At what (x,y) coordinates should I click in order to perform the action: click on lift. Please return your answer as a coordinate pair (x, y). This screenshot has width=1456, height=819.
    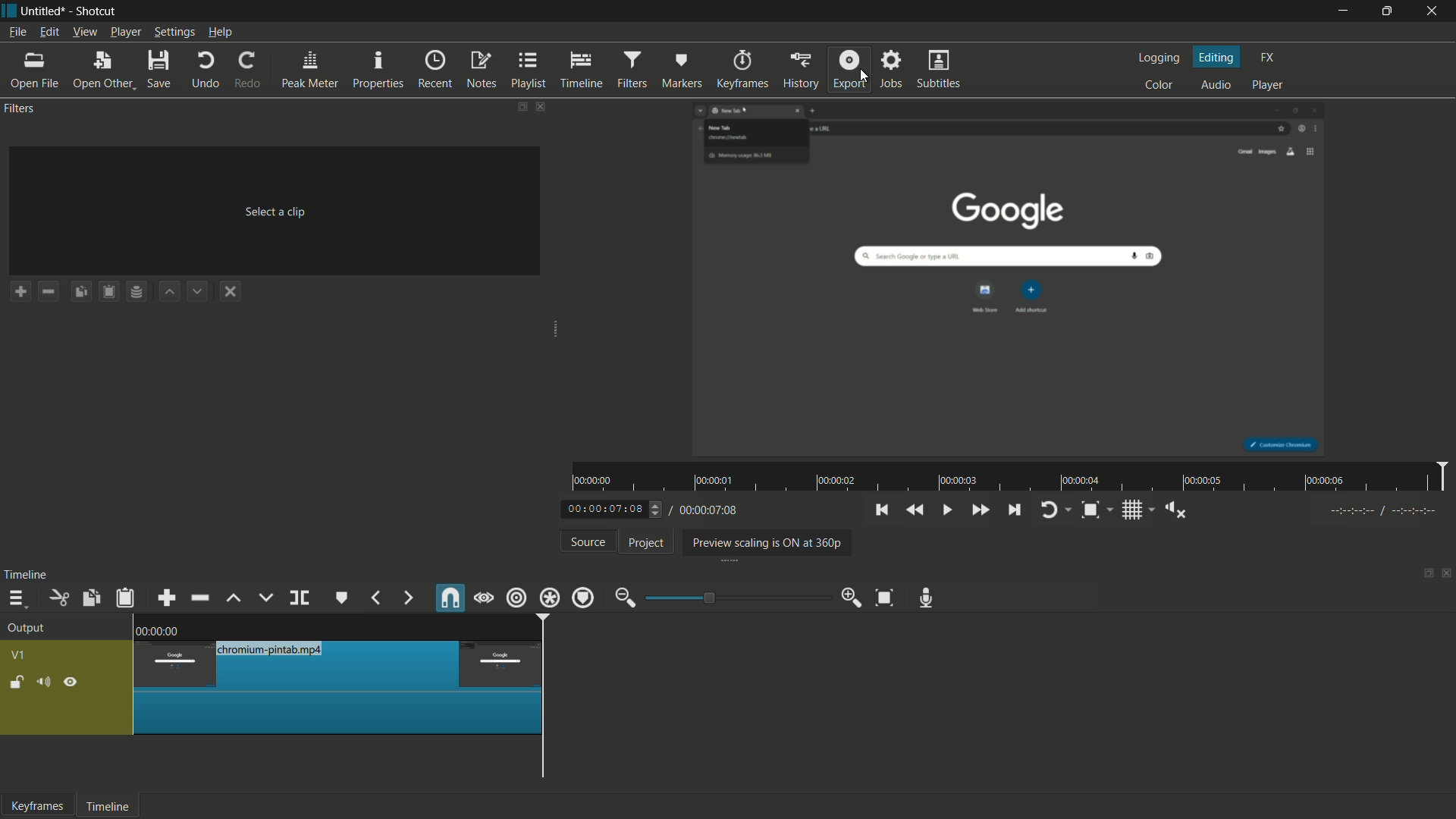
    Looking at the image, I should click on (235, 599).